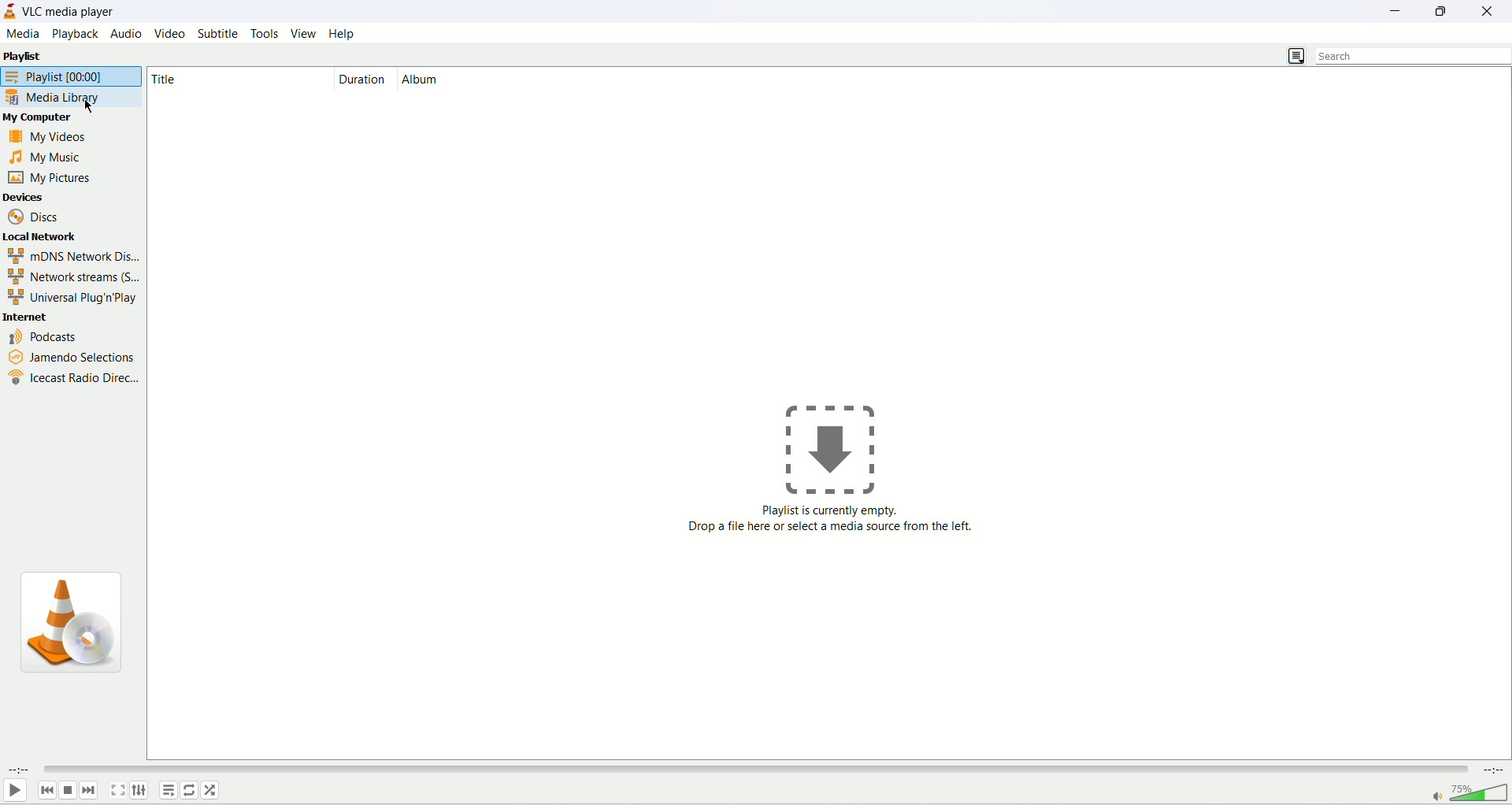 This screenshot has height=805, width=1512. What do you see at coordinates (27, 55) in the screenshot?
I see `playlist` at bounding box center [27, 55].